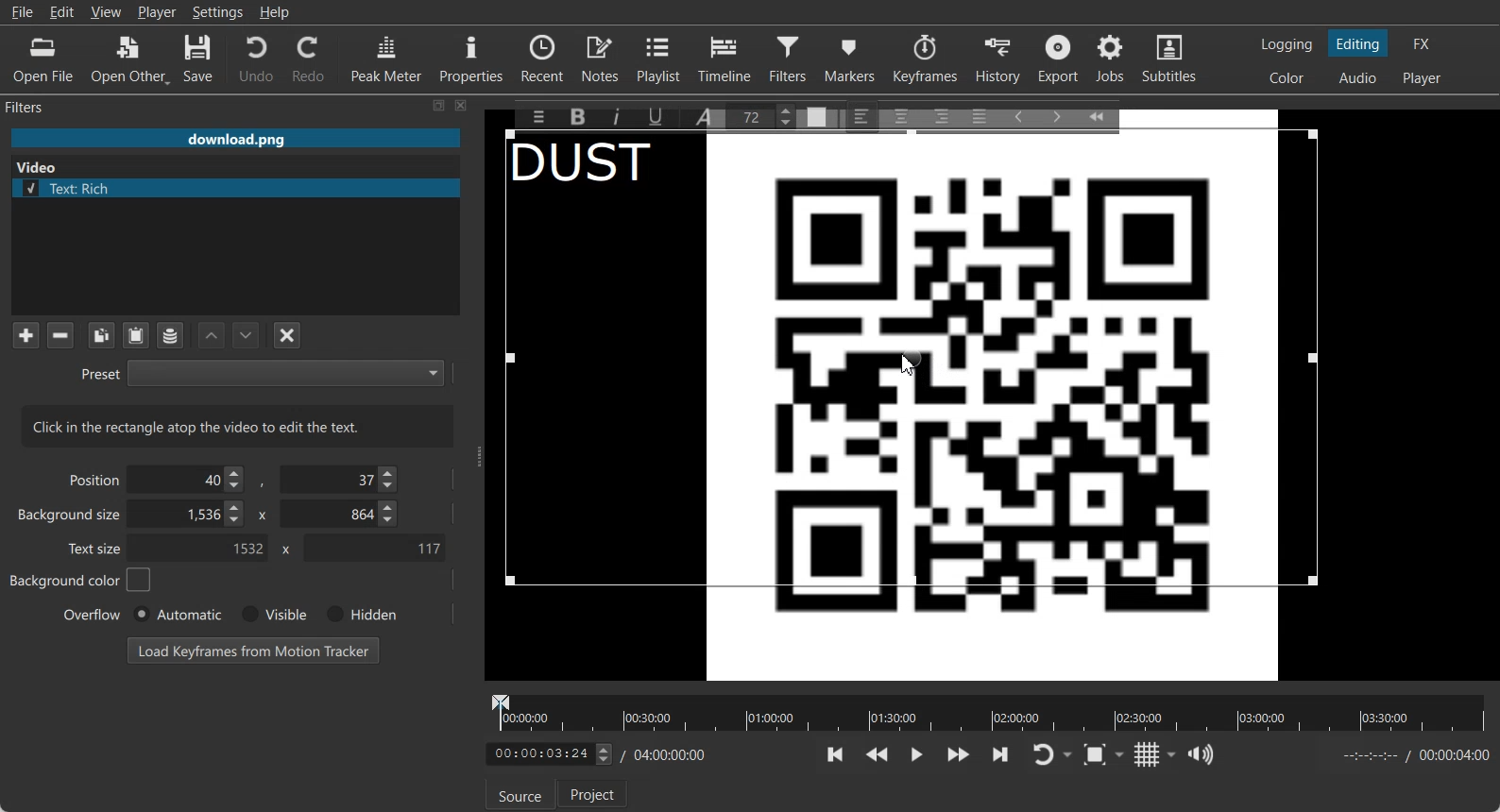 This screenshot has height=812, width=1500. I want to click on x, so click(282, 550).